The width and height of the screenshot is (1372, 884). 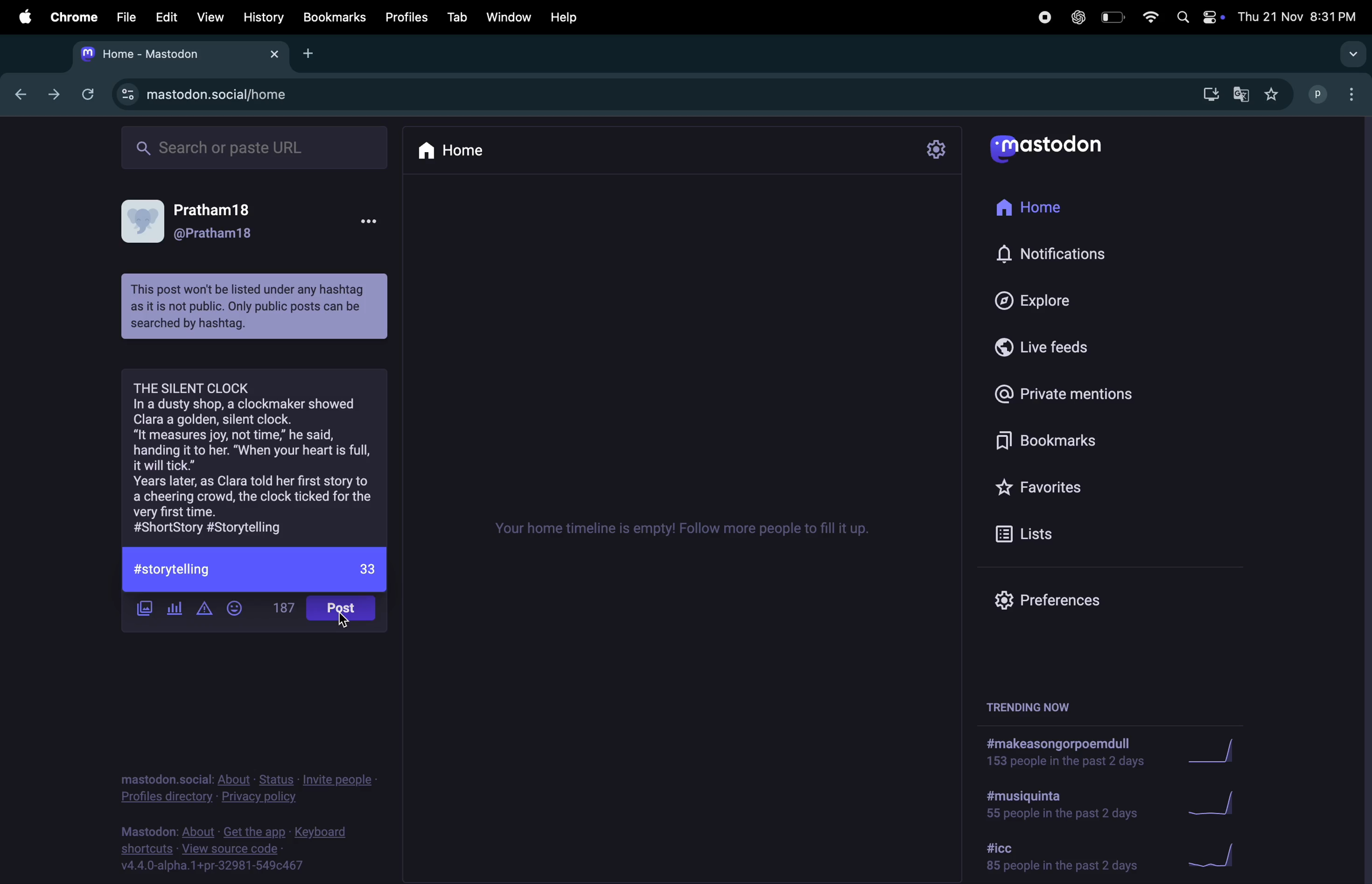 I want to click on user, so click(x=216, y=234).